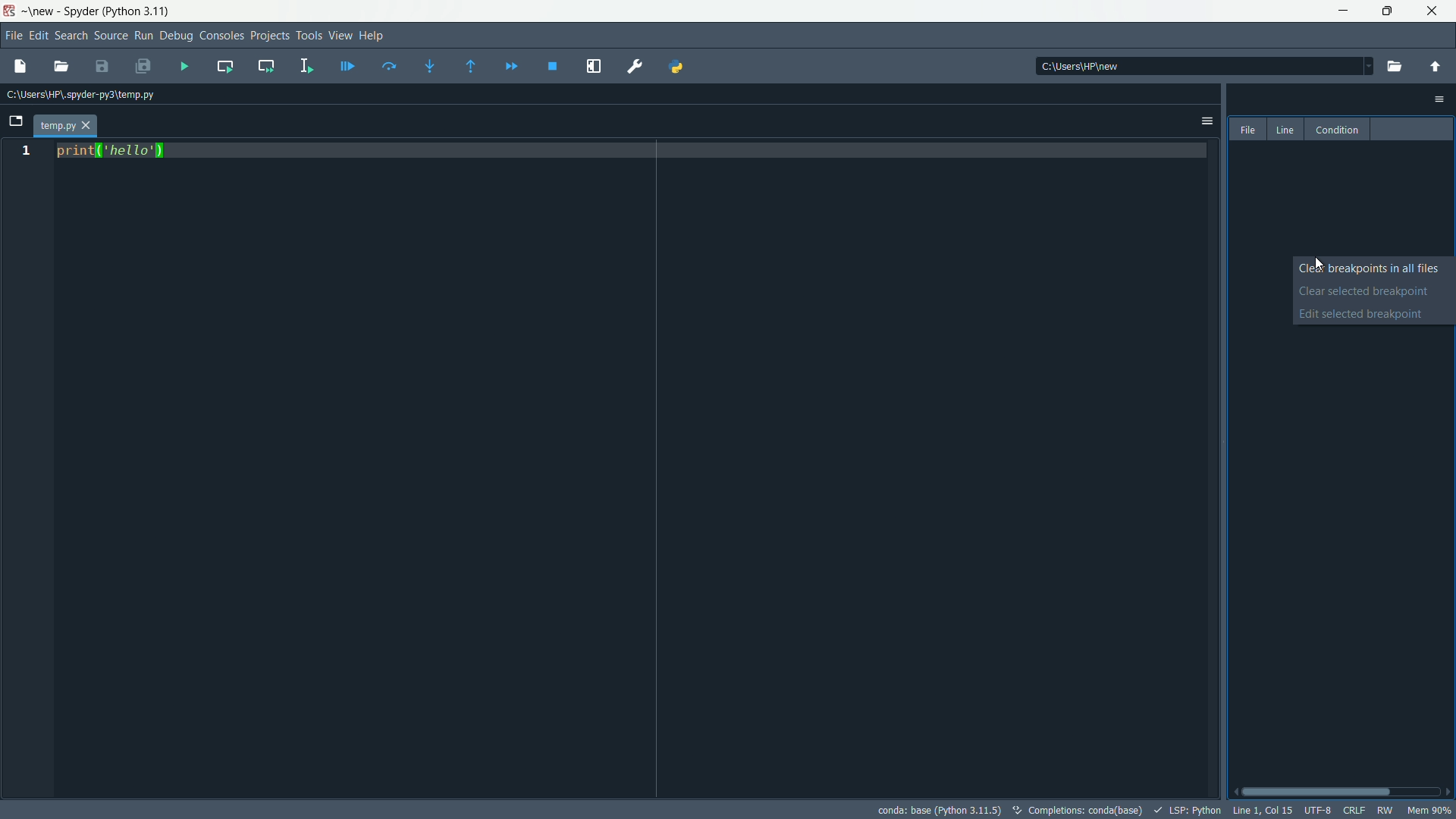 The height and width of the screenshot is (819, 1456). I want to click on run file, so click(184, 65).